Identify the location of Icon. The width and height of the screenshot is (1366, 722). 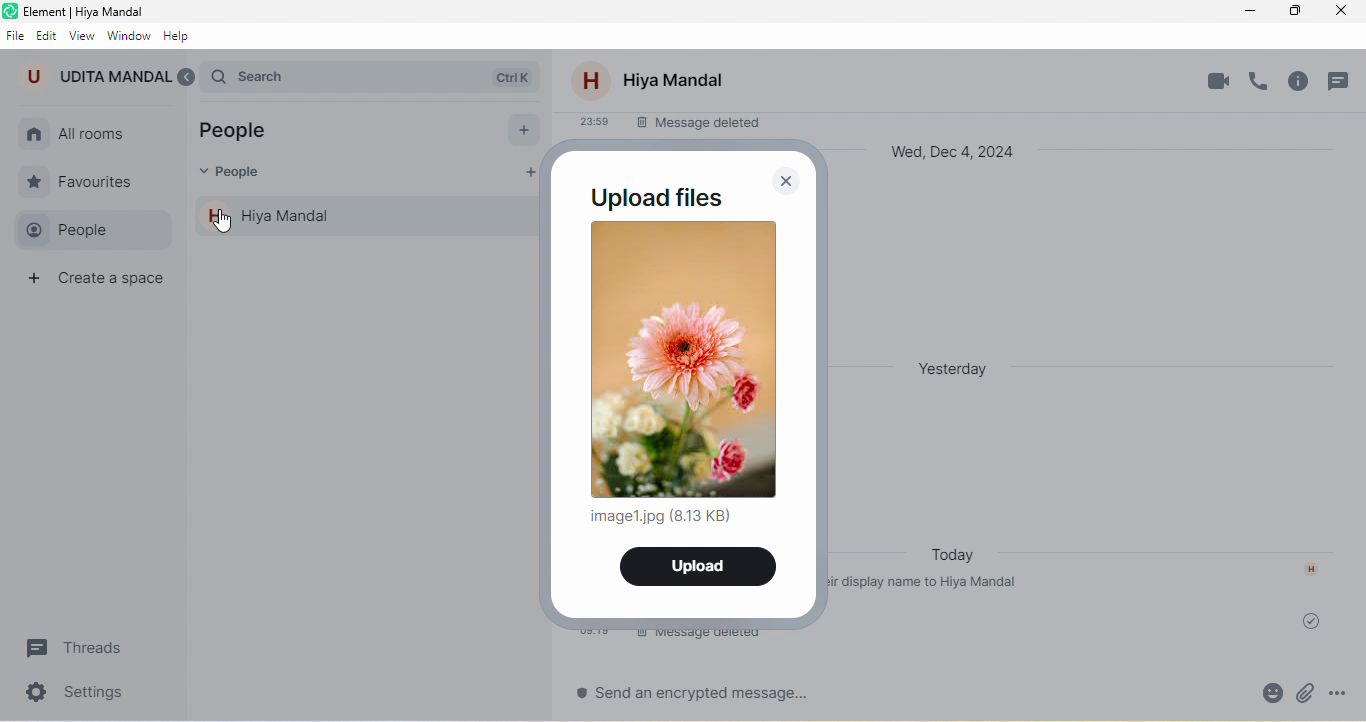
(1310, 566).